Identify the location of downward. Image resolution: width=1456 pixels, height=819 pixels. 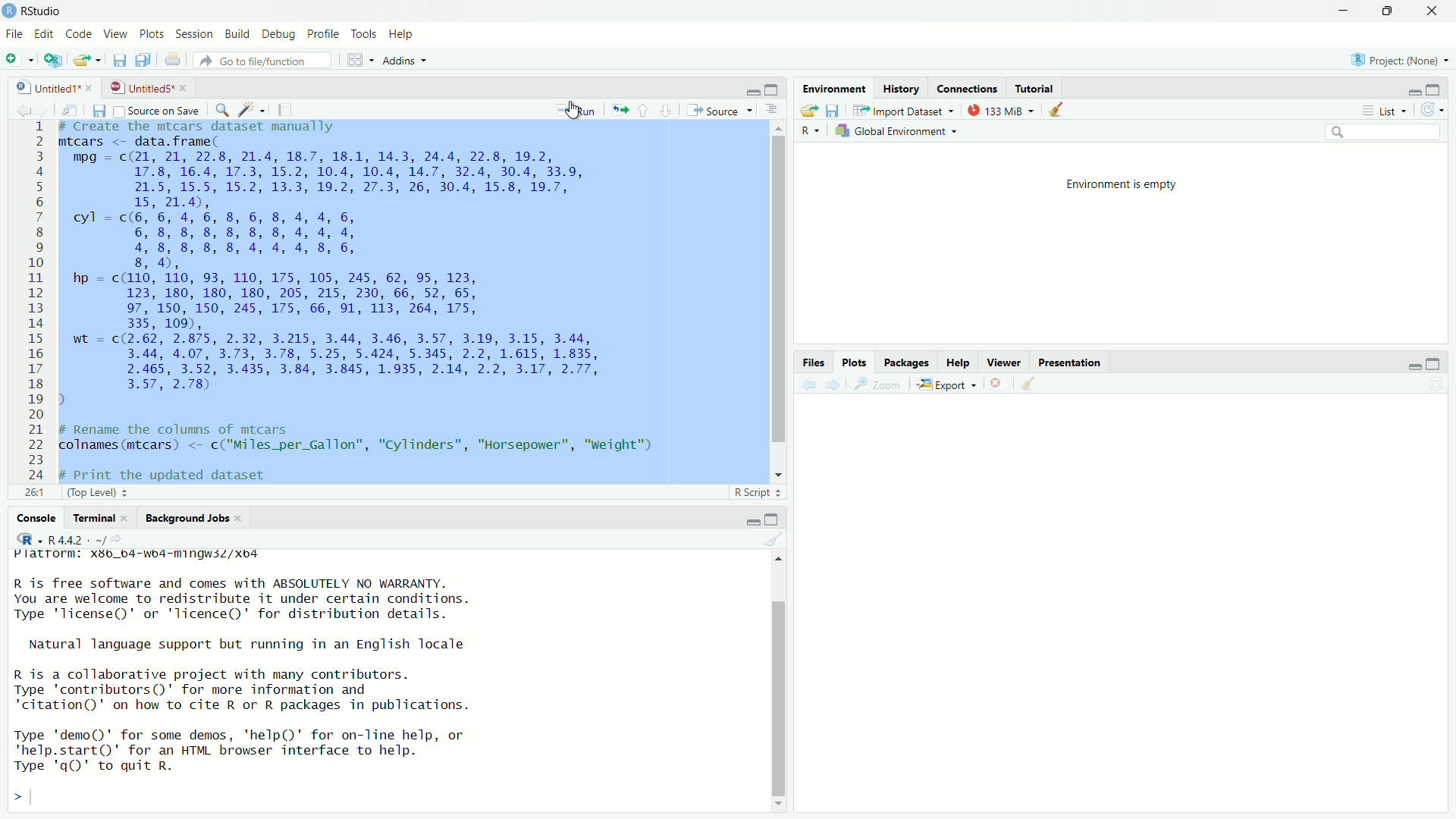
(667, 106).